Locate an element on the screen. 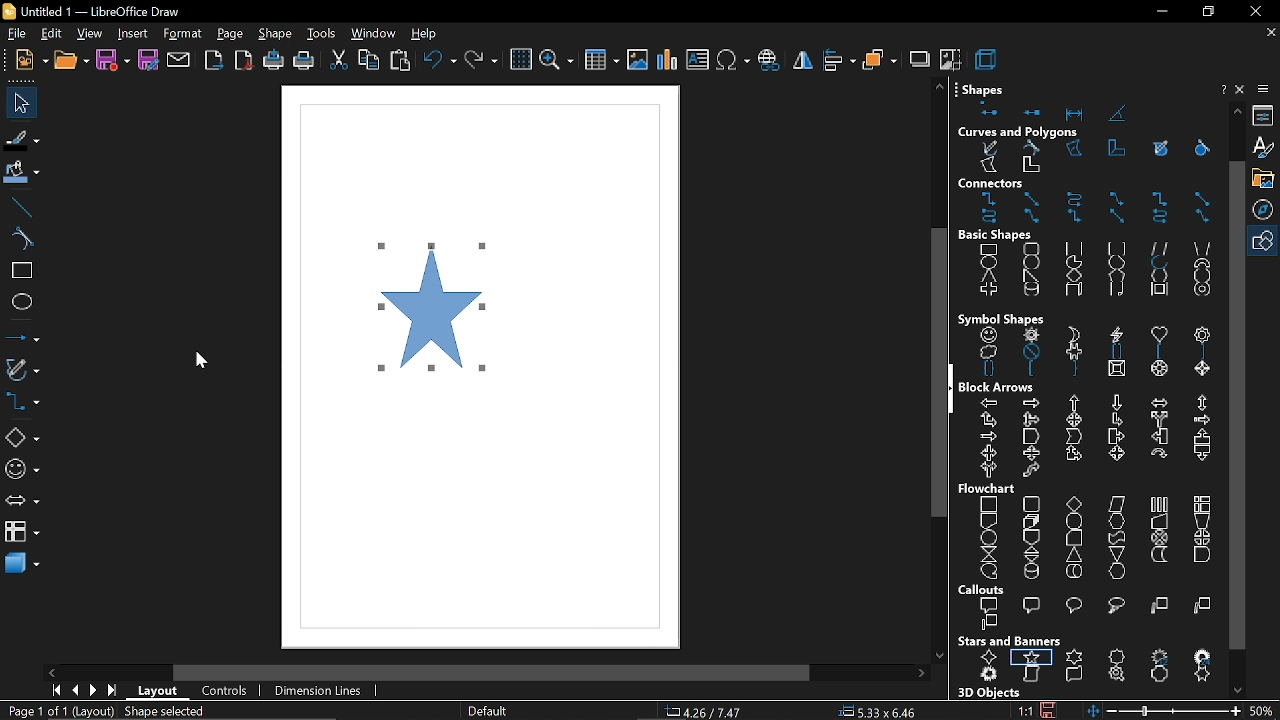 This screenshot has width=1280, height=720. insert text is located at coordinates (699, 60).